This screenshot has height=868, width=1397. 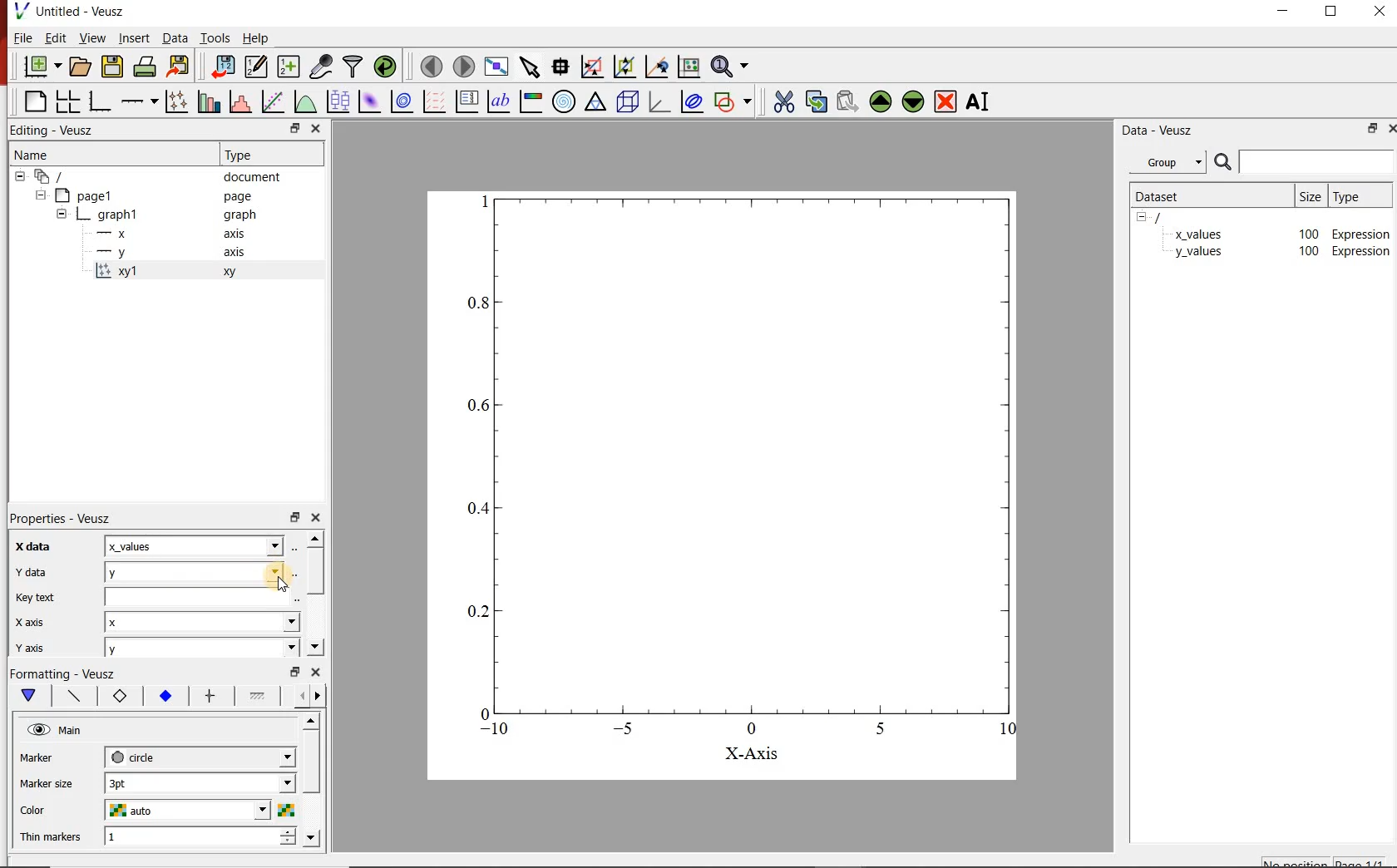 What do you see at coordinates (134, 37) in the screenshot?
I see `insert` at bounding box center [134, 37].